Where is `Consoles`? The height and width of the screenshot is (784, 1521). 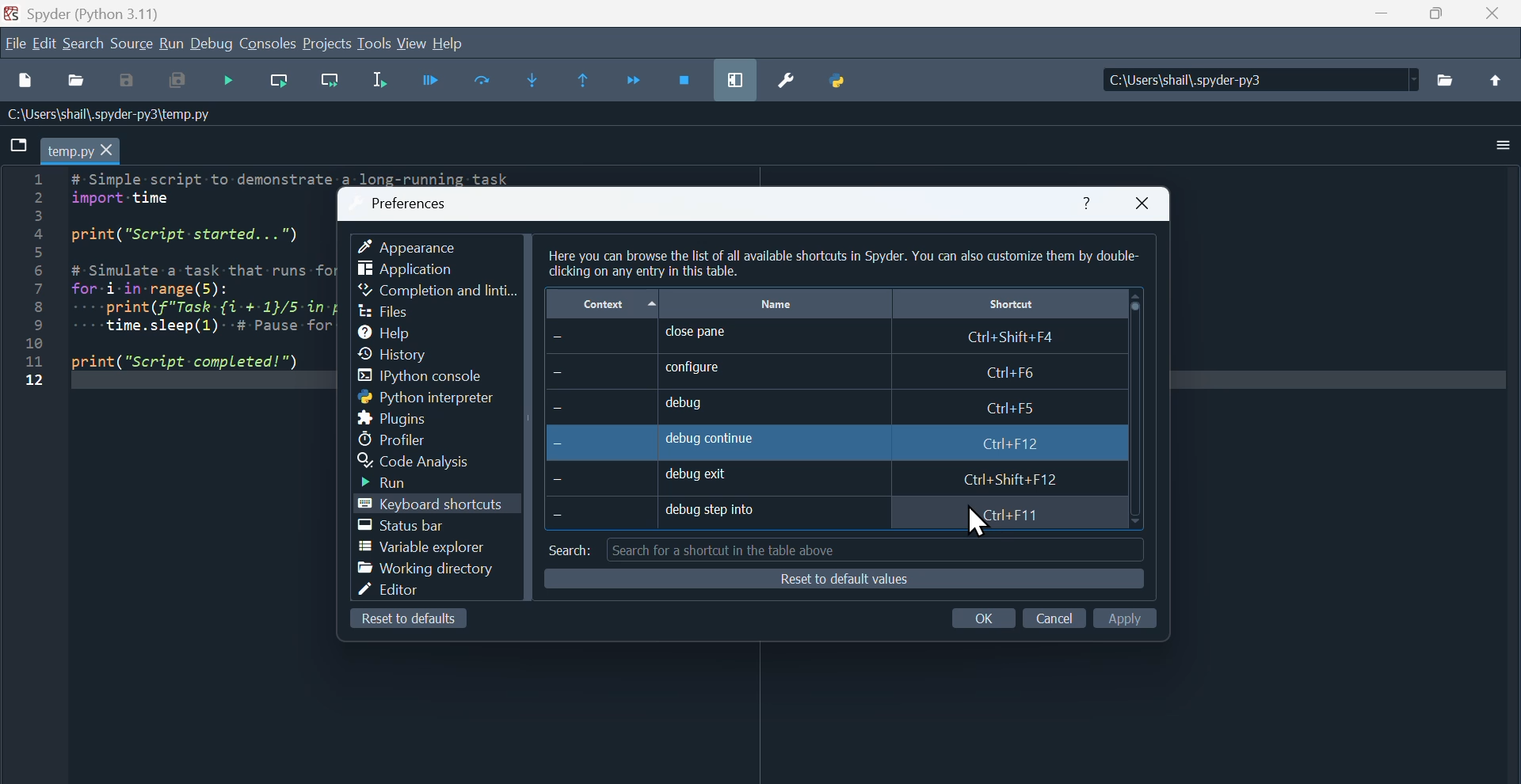 Consoles is located at coordinates (269, 43).